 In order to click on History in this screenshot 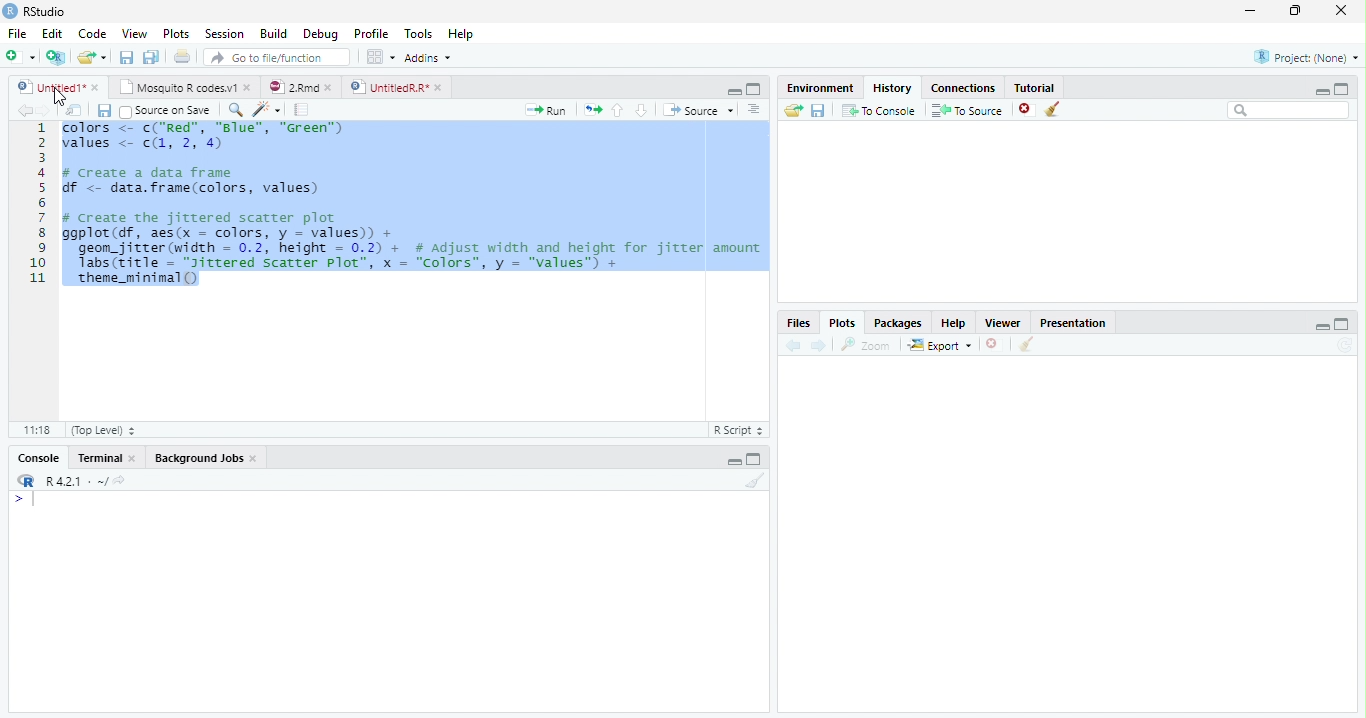, I will do `click(893, 88)`.